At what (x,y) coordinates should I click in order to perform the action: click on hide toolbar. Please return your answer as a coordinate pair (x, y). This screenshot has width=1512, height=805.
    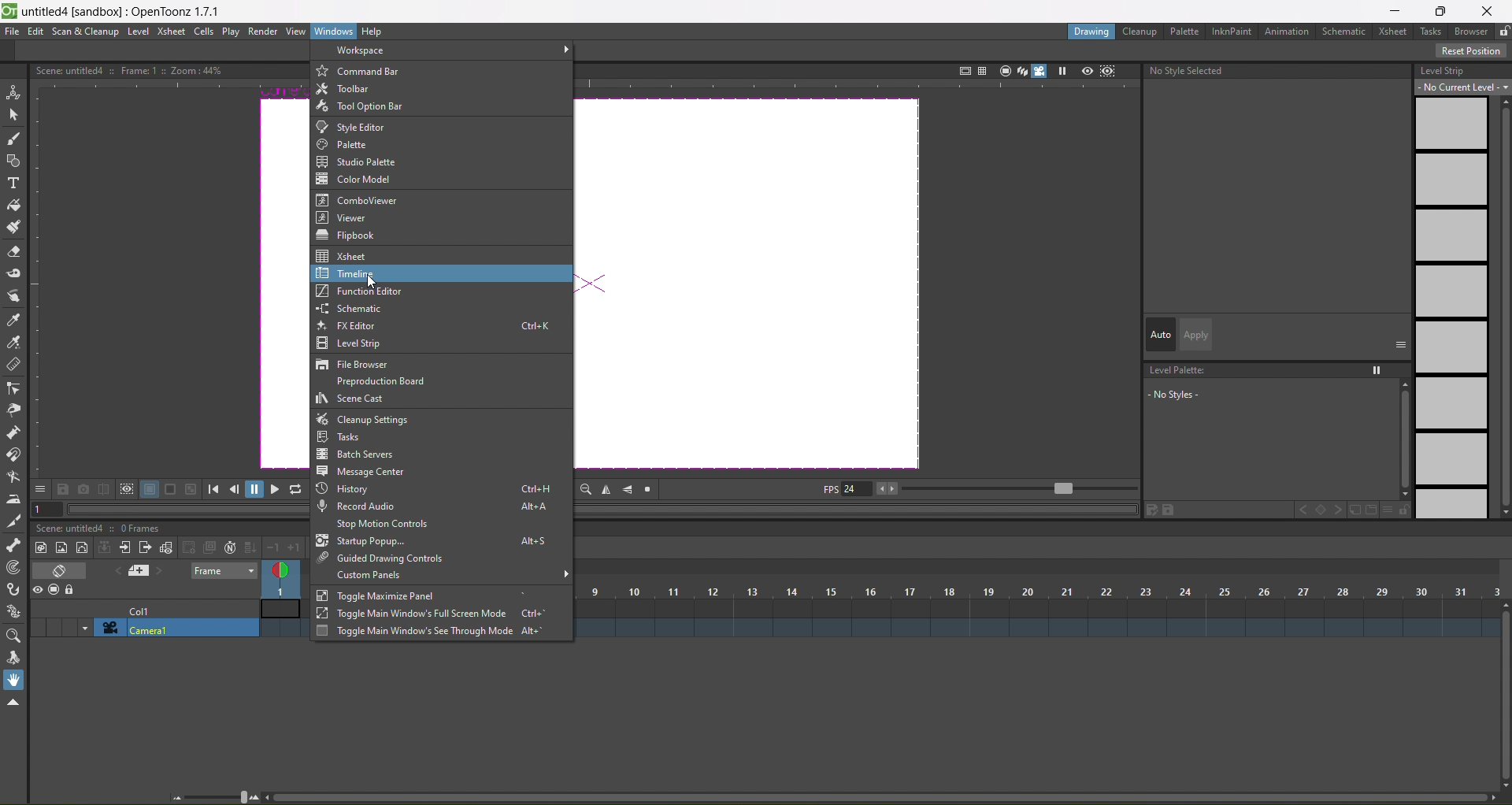
    Looking at the image, I should click on (13, 703).